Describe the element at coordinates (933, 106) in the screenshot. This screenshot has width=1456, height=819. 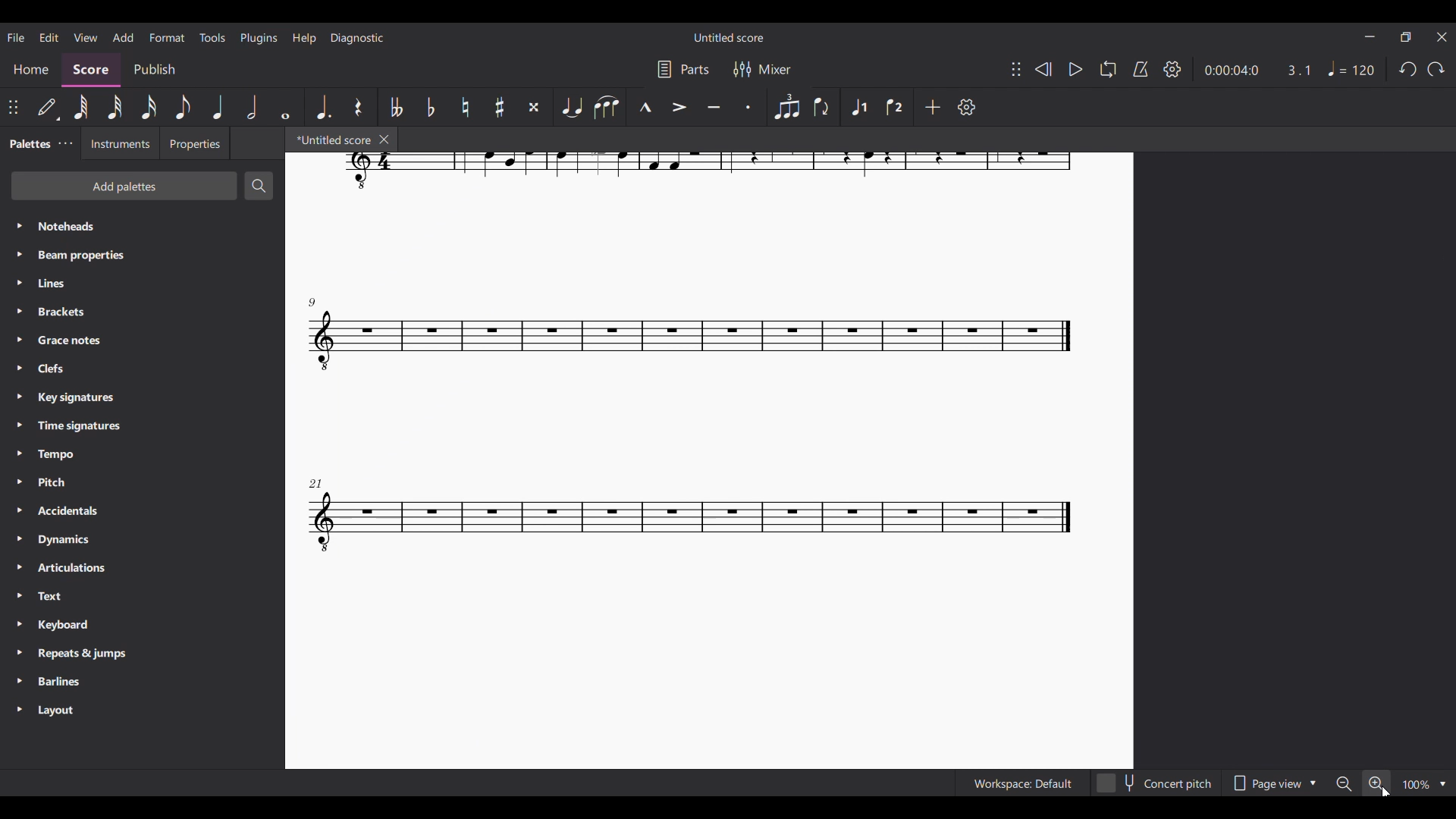
I see `Add` at that location.